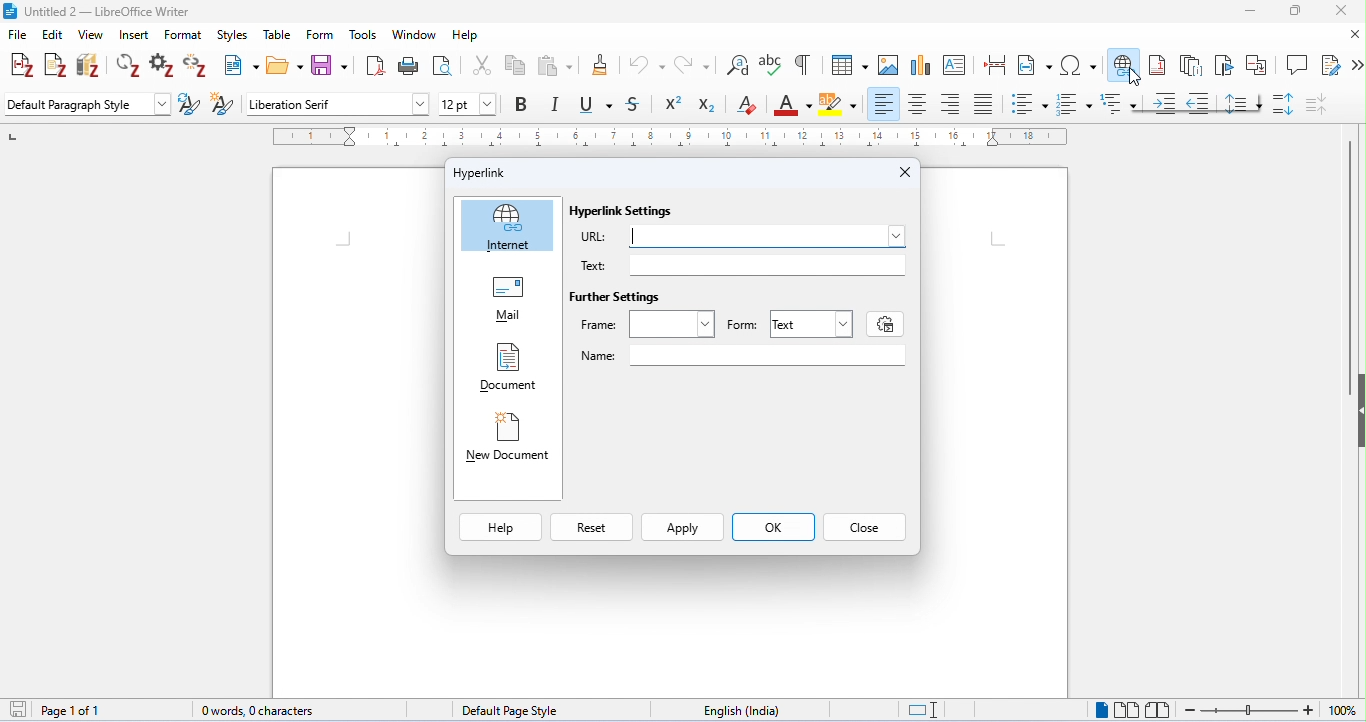 This screenshot has height=722, width=1366. I want to click on settings, so click(880, 326).